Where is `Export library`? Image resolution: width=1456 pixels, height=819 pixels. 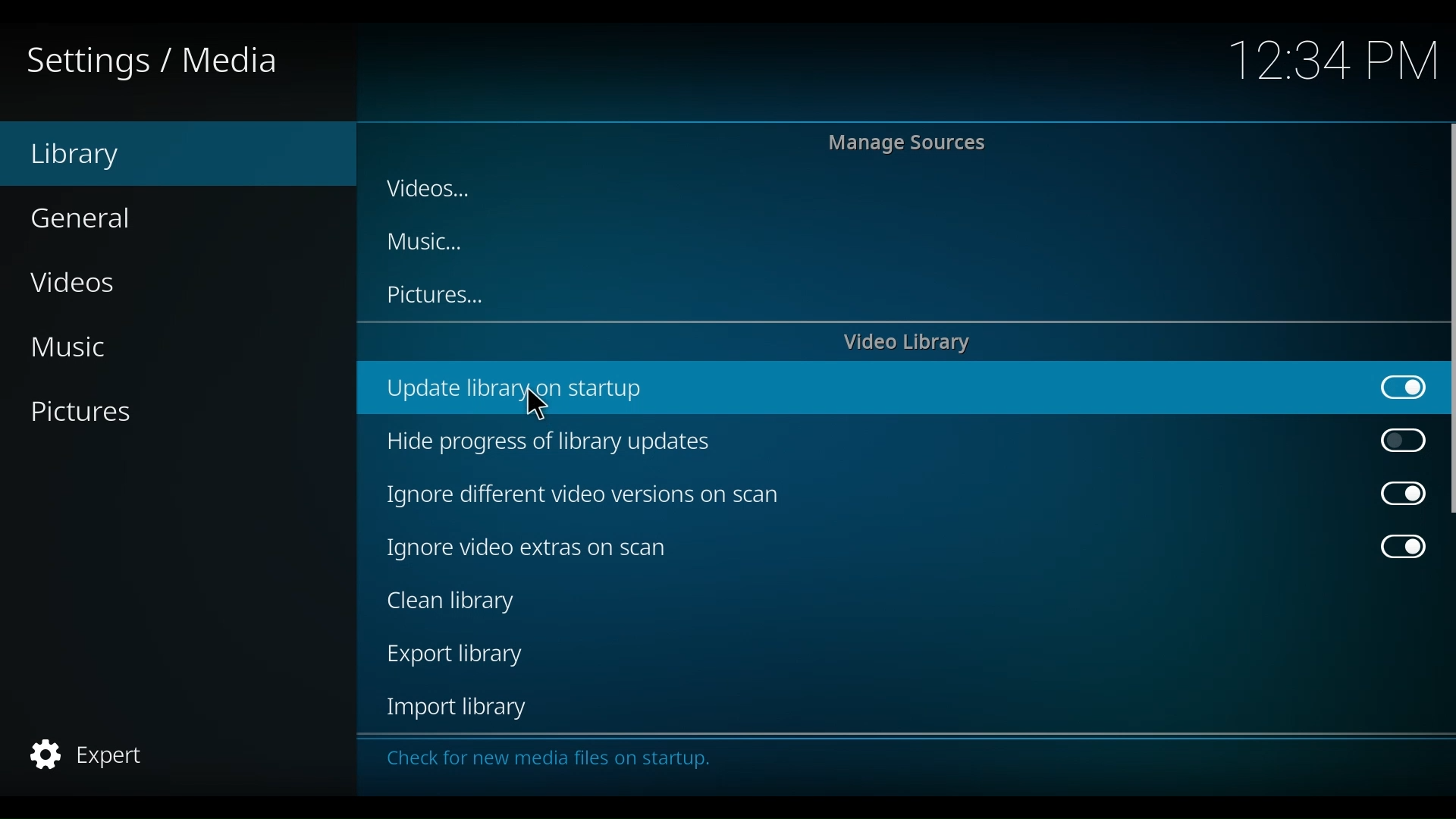 Export library is located at coordinates (461, 656).